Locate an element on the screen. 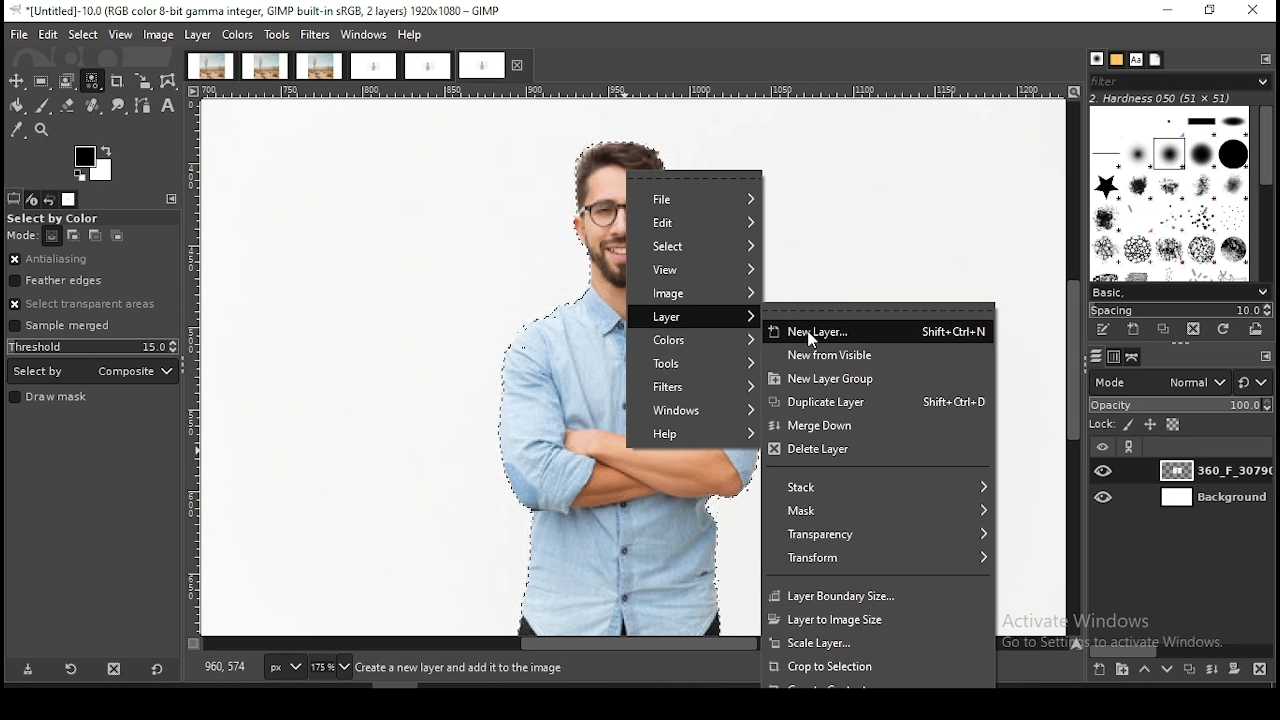 The image size is (1280, 720). channels is located at coordinates (1116, 357).